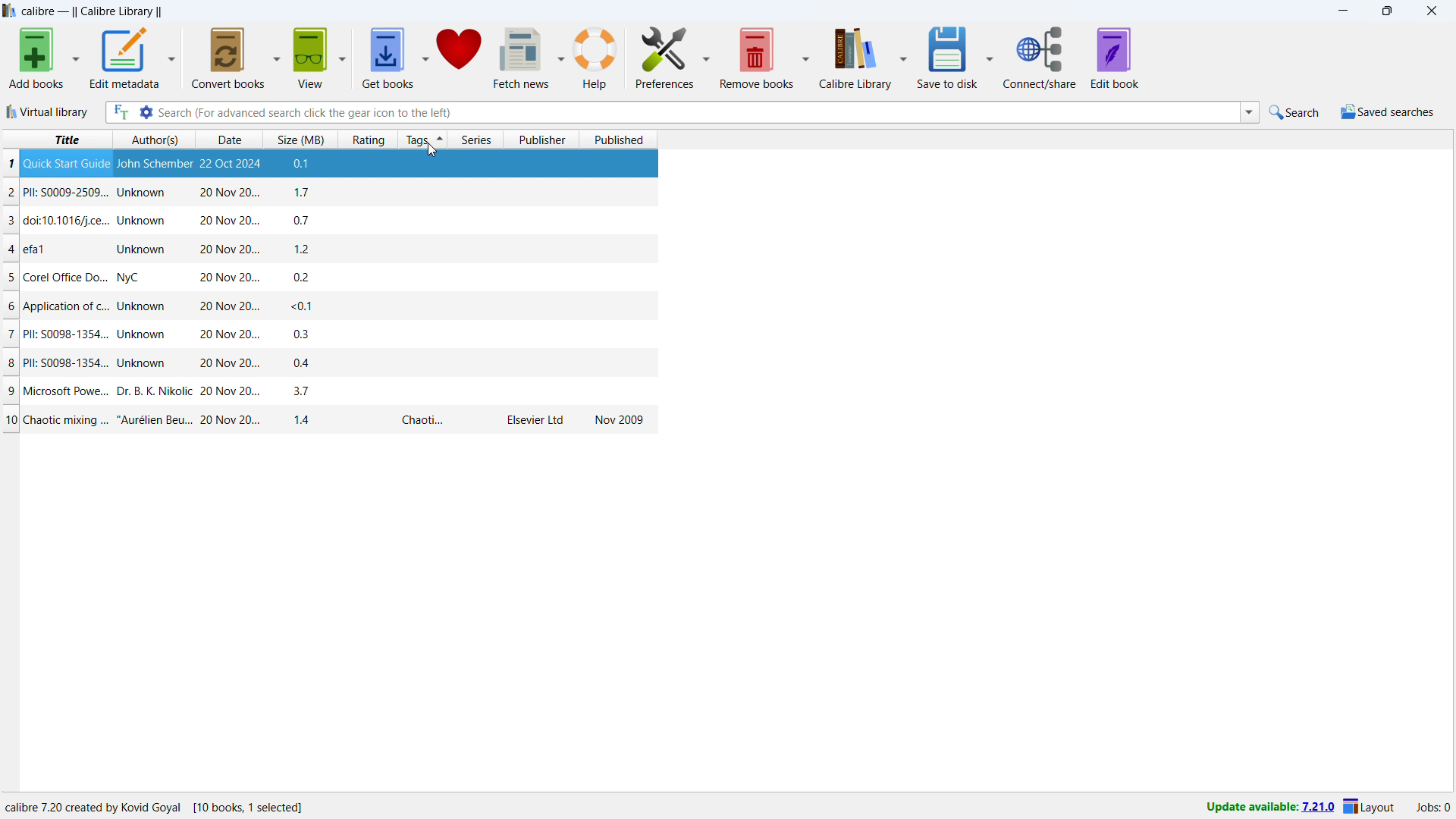 The width and height of the screenshot is (1456, 819). I want to click on update, so click(1268, 808).